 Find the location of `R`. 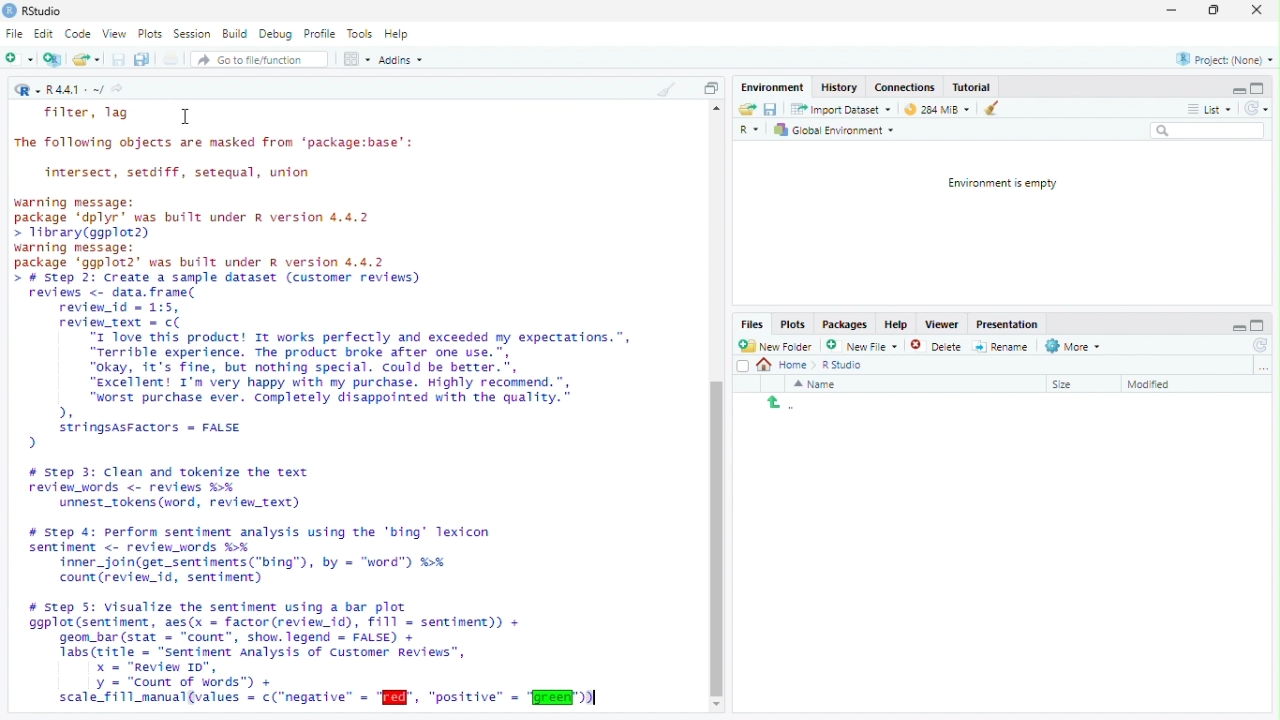

R is located at coordinates (27, 89).